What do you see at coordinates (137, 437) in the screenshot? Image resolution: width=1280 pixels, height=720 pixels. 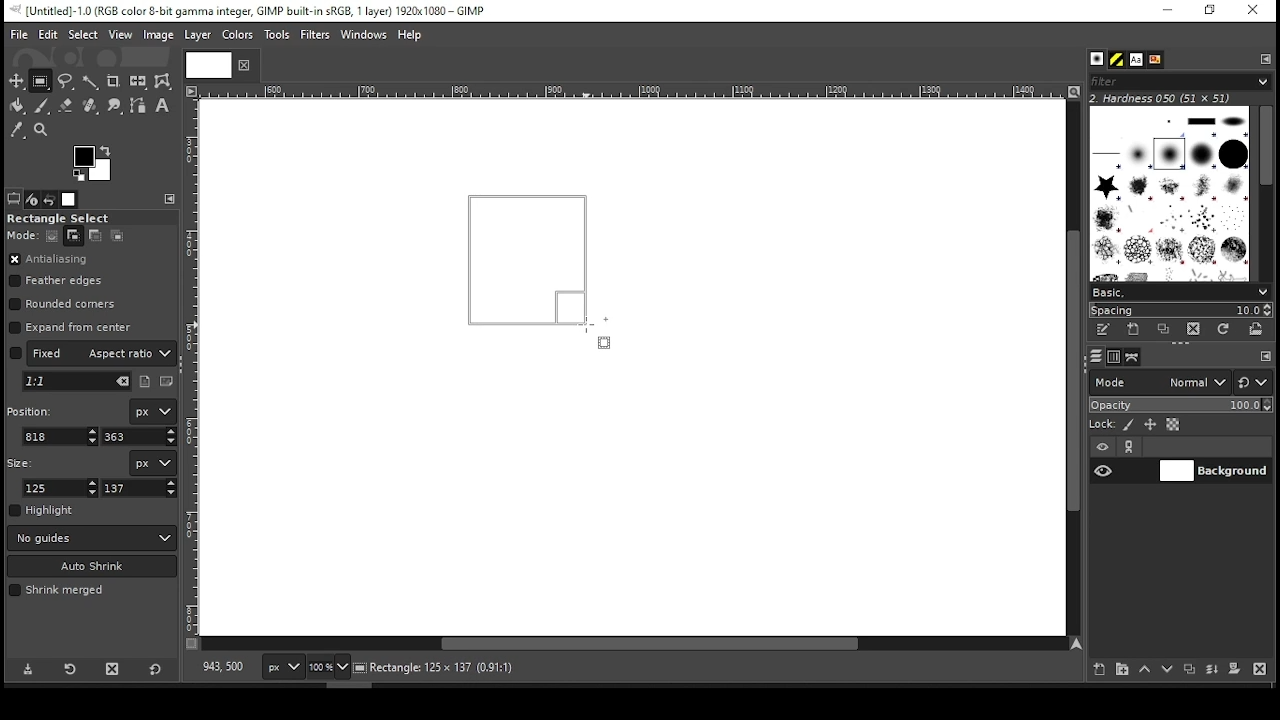 I see `y` at bounding box center [137, 437].